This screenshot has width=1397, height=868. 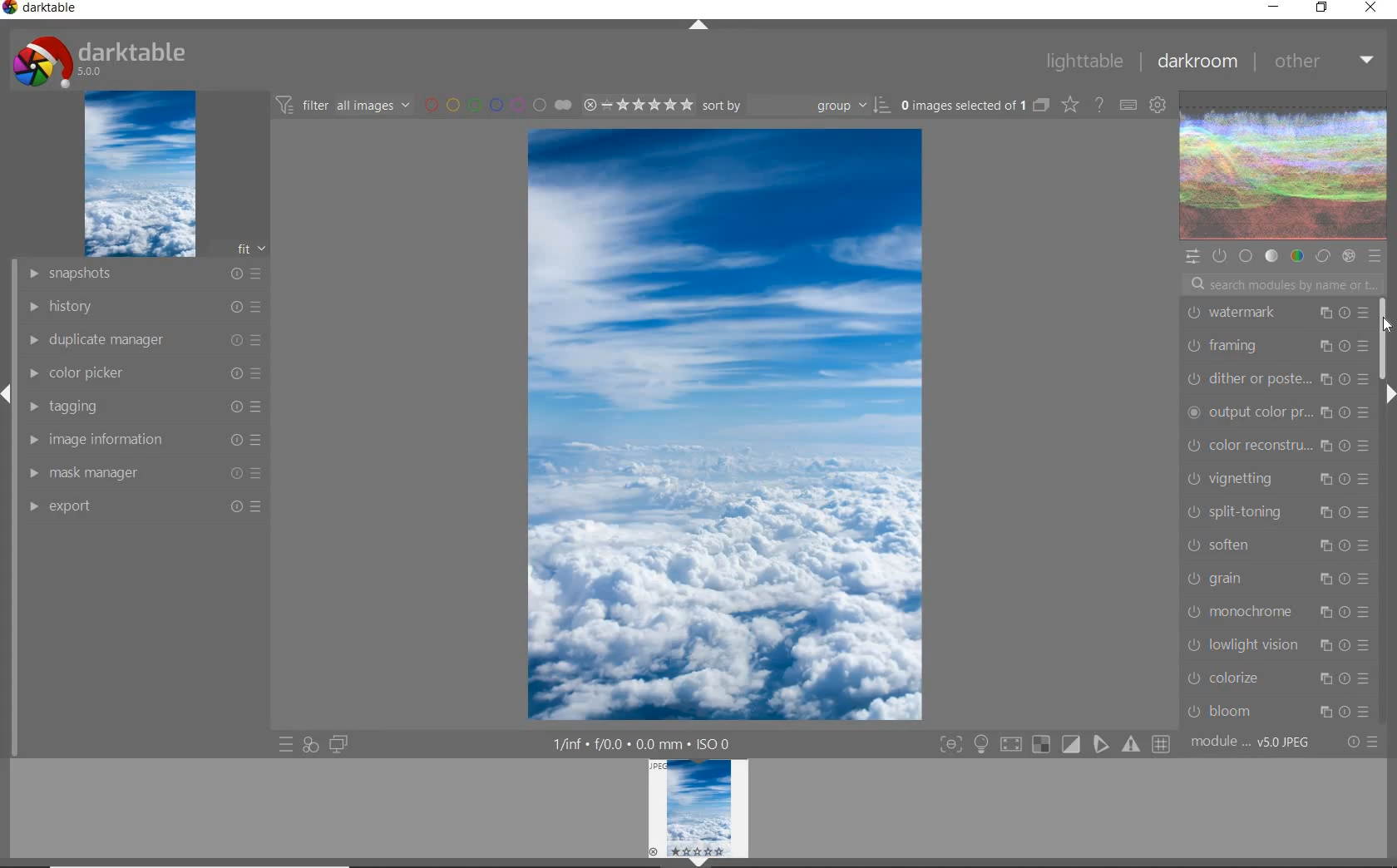 I want to click on BASE, so click(x=1247, y=256).